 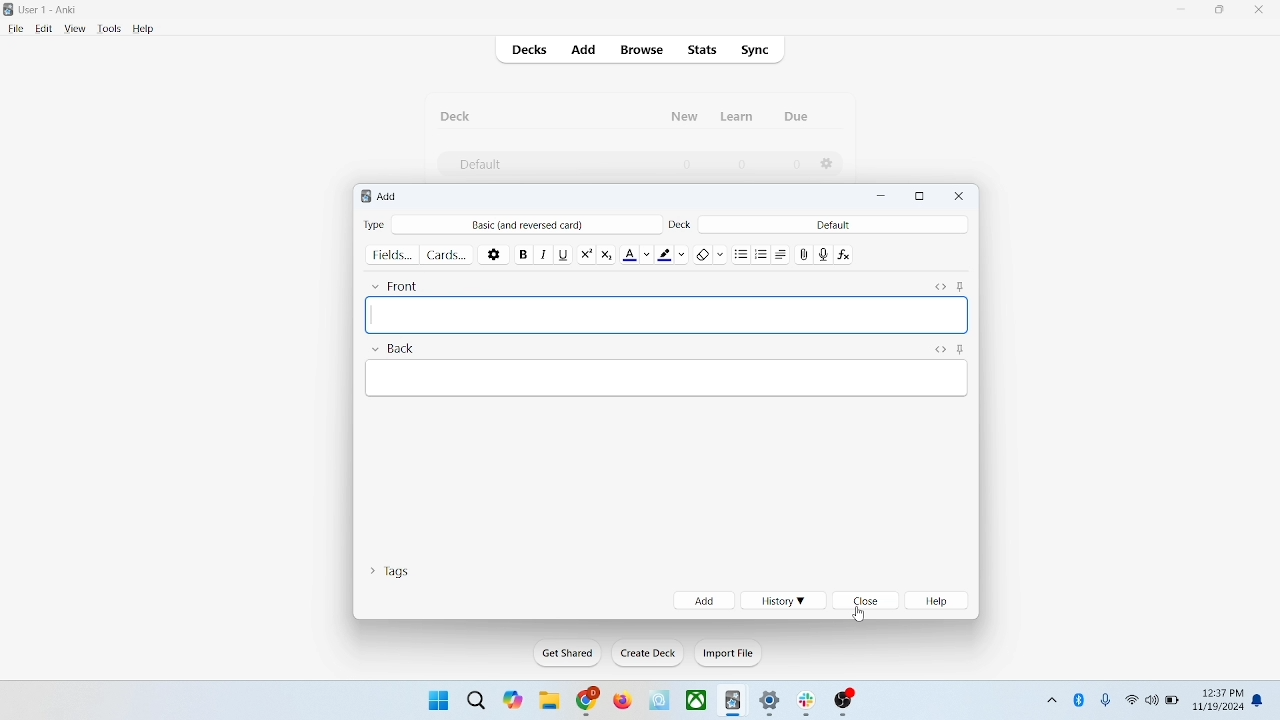 I want to click on get shared, so click(x=569, y=654).